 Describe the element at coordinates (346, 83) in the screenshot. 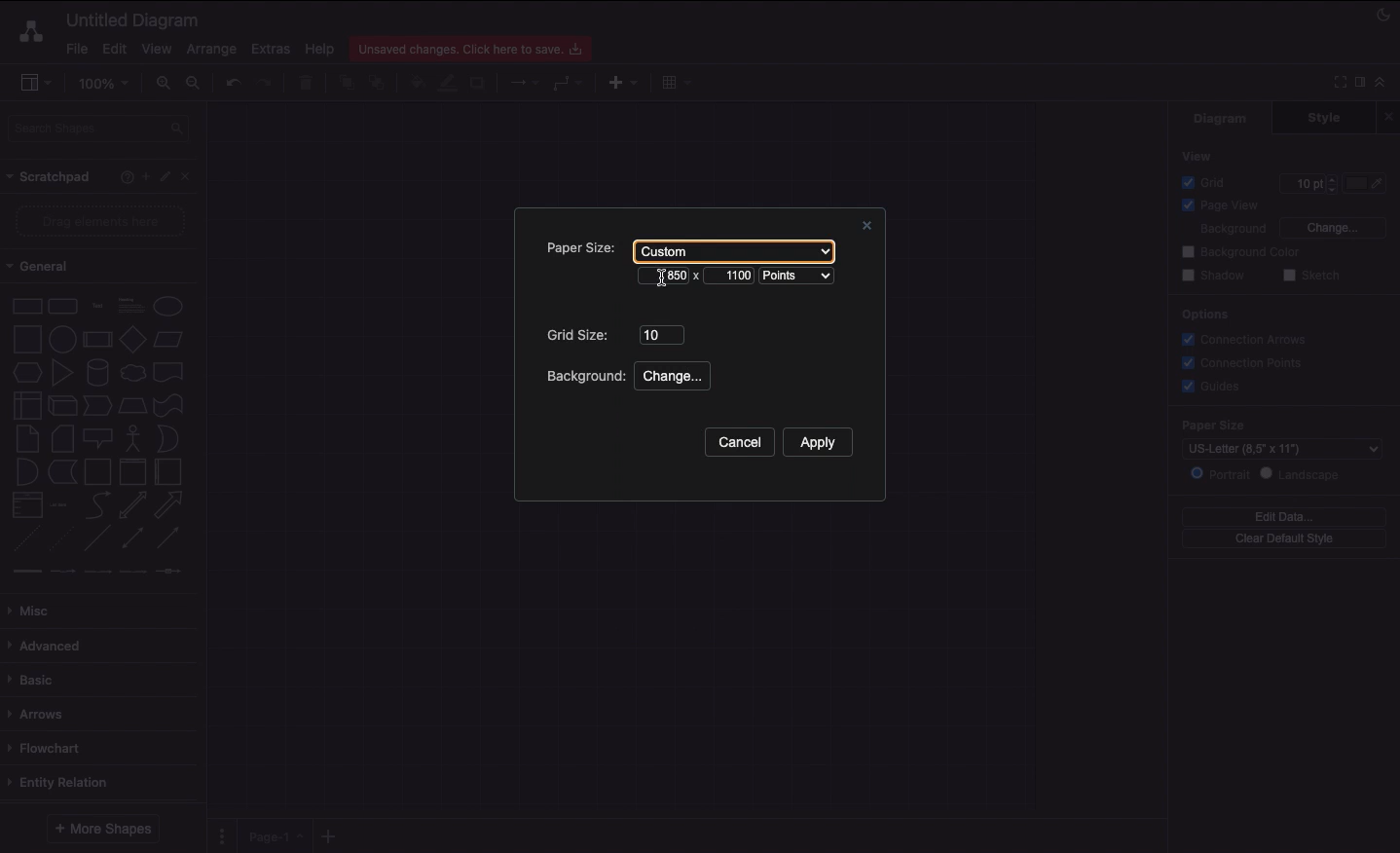

I see `To front` at that location.